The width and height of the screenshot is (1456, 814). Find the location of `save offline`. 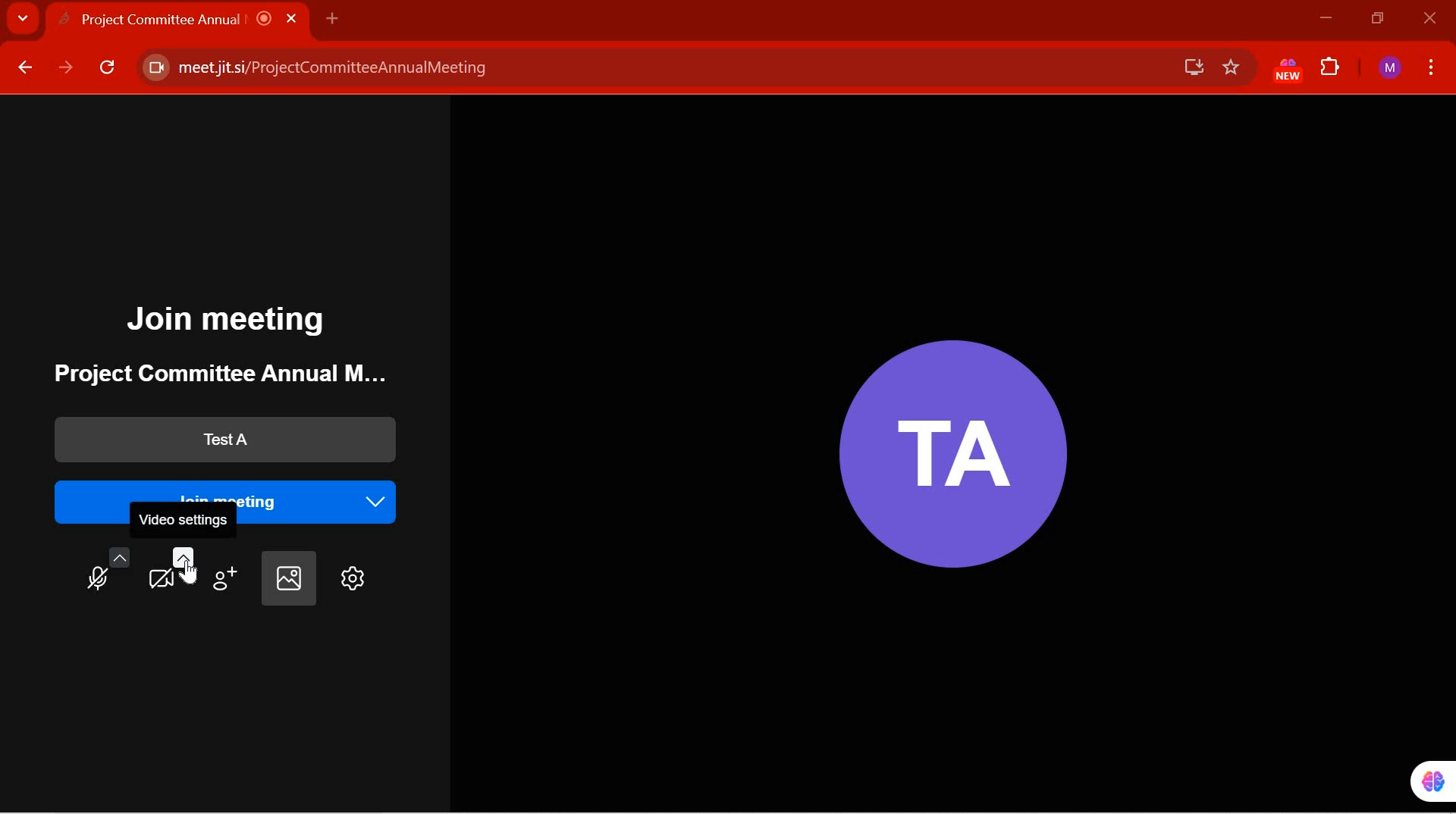

save offline is located at coordinates (1188, 67).